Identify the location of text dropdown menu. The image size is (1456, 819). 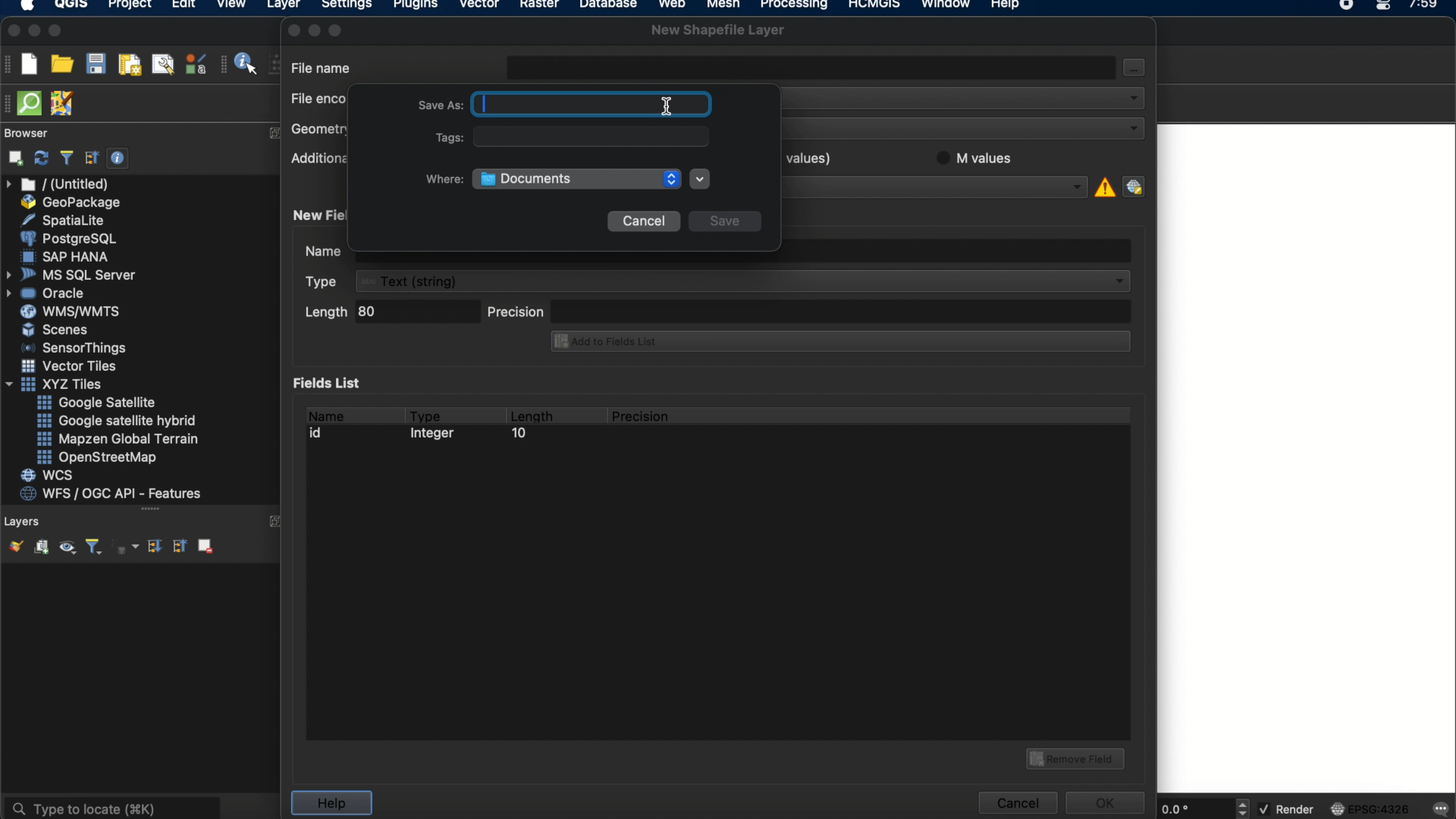
(720, 281).